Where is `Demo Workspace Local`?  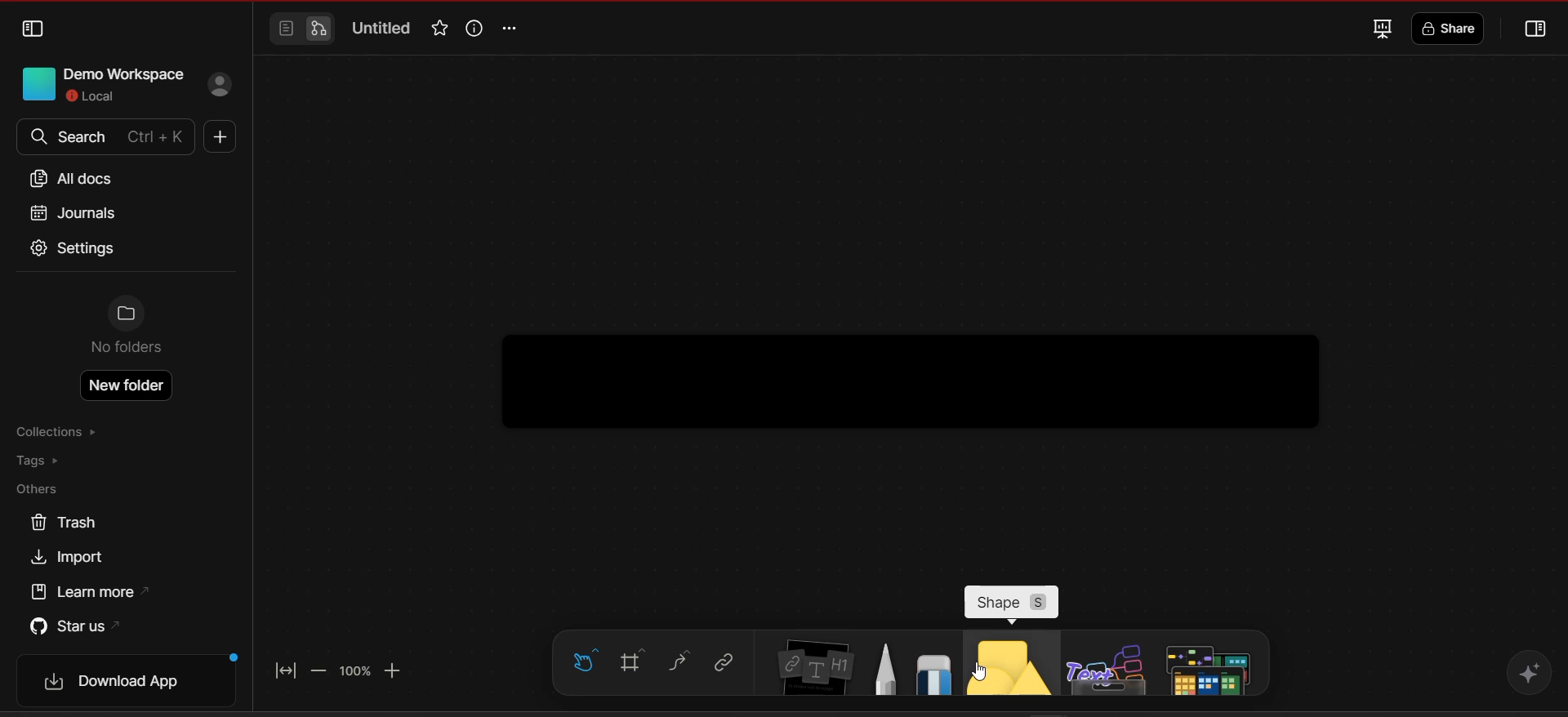 Demo Workspace Local is located at coordinates (97, 82).